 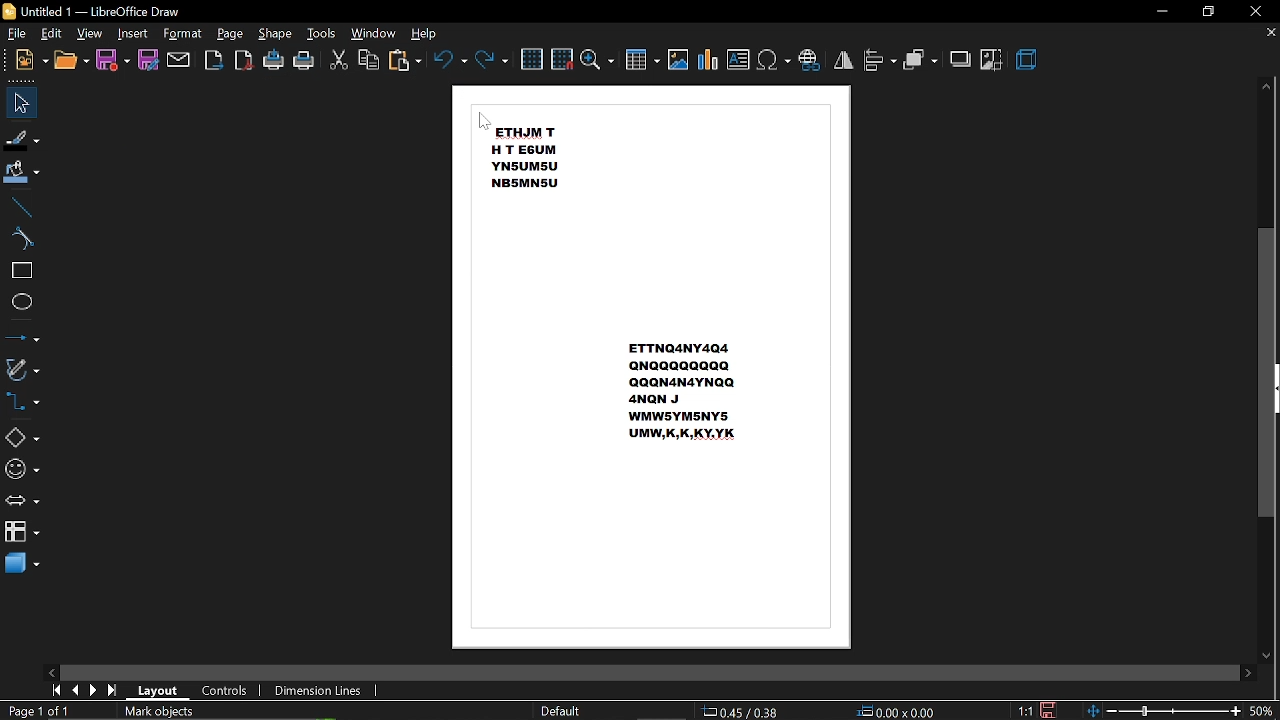 What do you see at coordinates (339, 60) in the screenshot?
I see `cut ` at bounding box center [339, 60].